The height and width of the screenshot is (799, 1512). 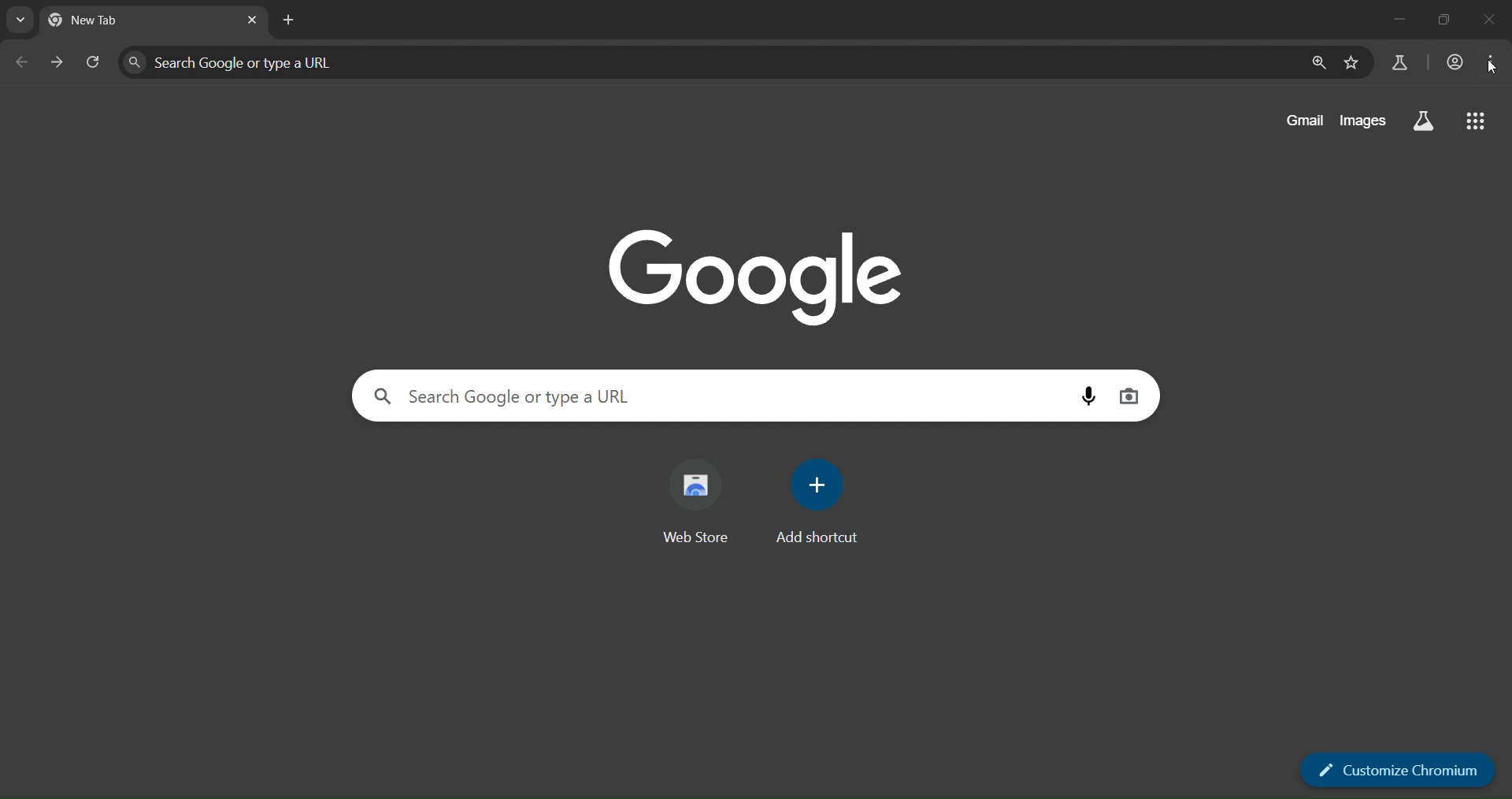 What do you see at coordinates (1353, 64) in the screenshot?
I see `bookmark page` at bounding box center [1353, 64].